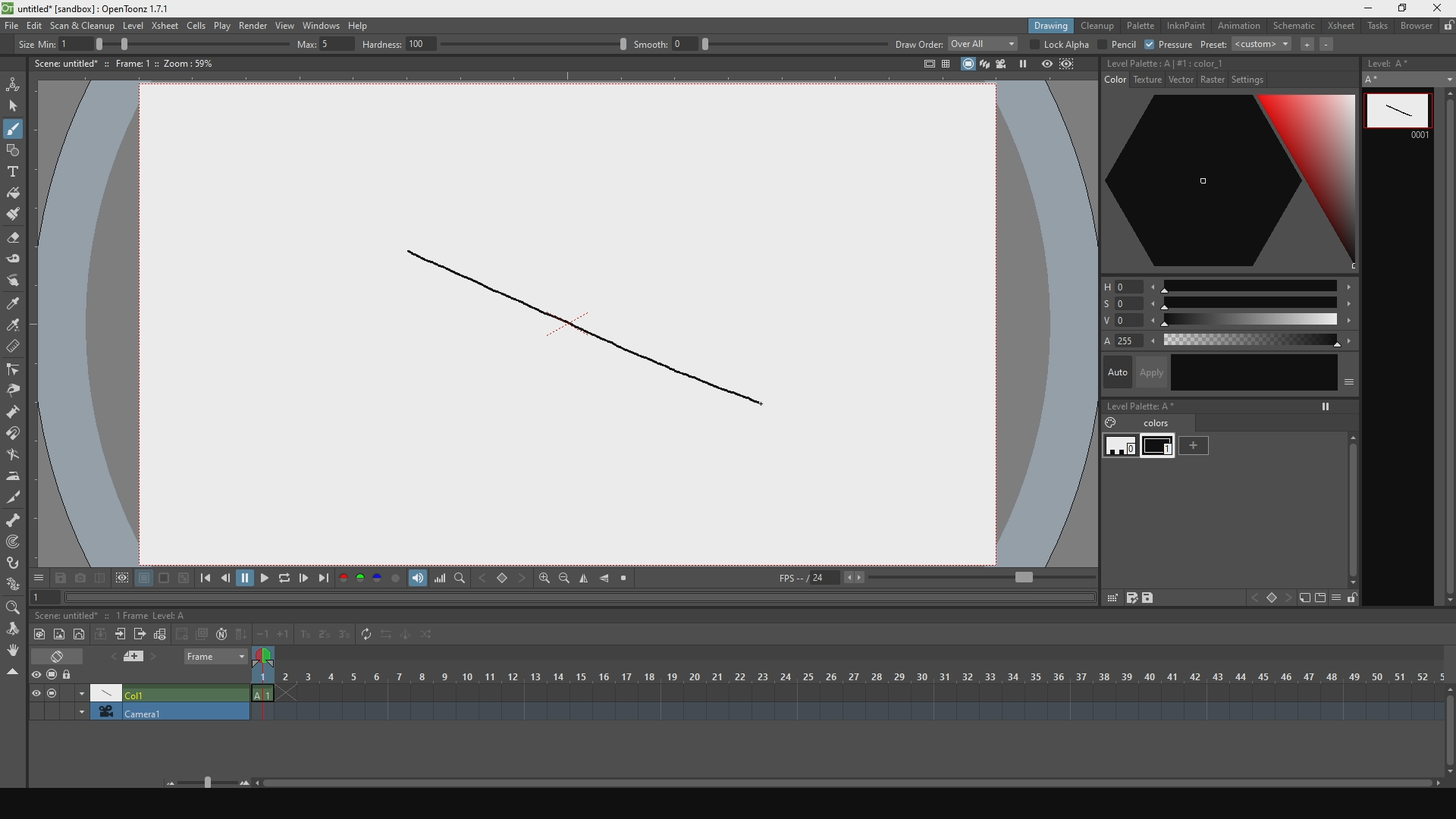 This screenshot has height=819, width=1456. What do you see at coordinates (1234, 321) in the screenshot?
I see `value` at bounding box center [1234, 321].